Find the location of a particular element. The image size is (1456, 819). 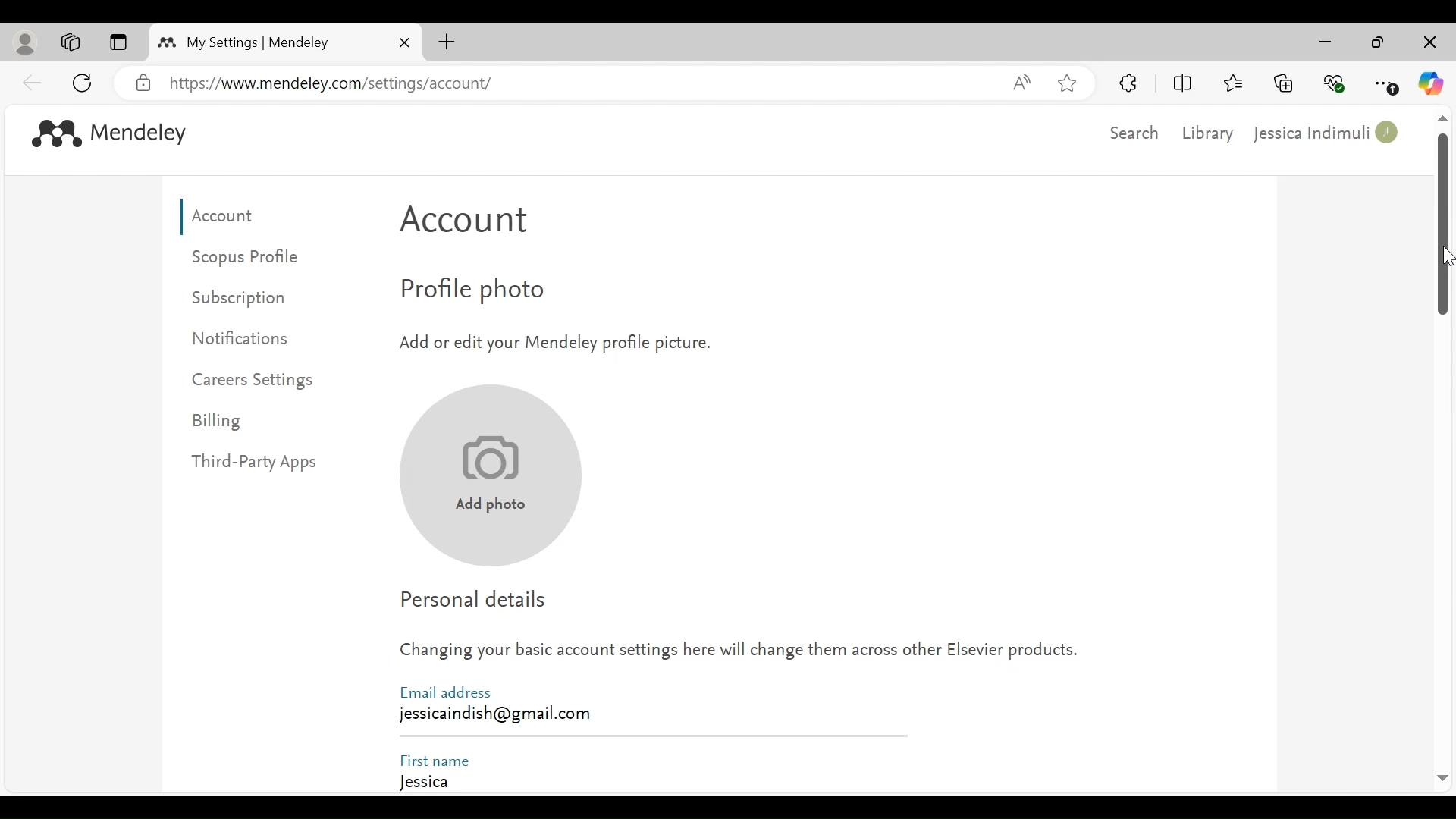

Account is located at coordinates (228, 217).